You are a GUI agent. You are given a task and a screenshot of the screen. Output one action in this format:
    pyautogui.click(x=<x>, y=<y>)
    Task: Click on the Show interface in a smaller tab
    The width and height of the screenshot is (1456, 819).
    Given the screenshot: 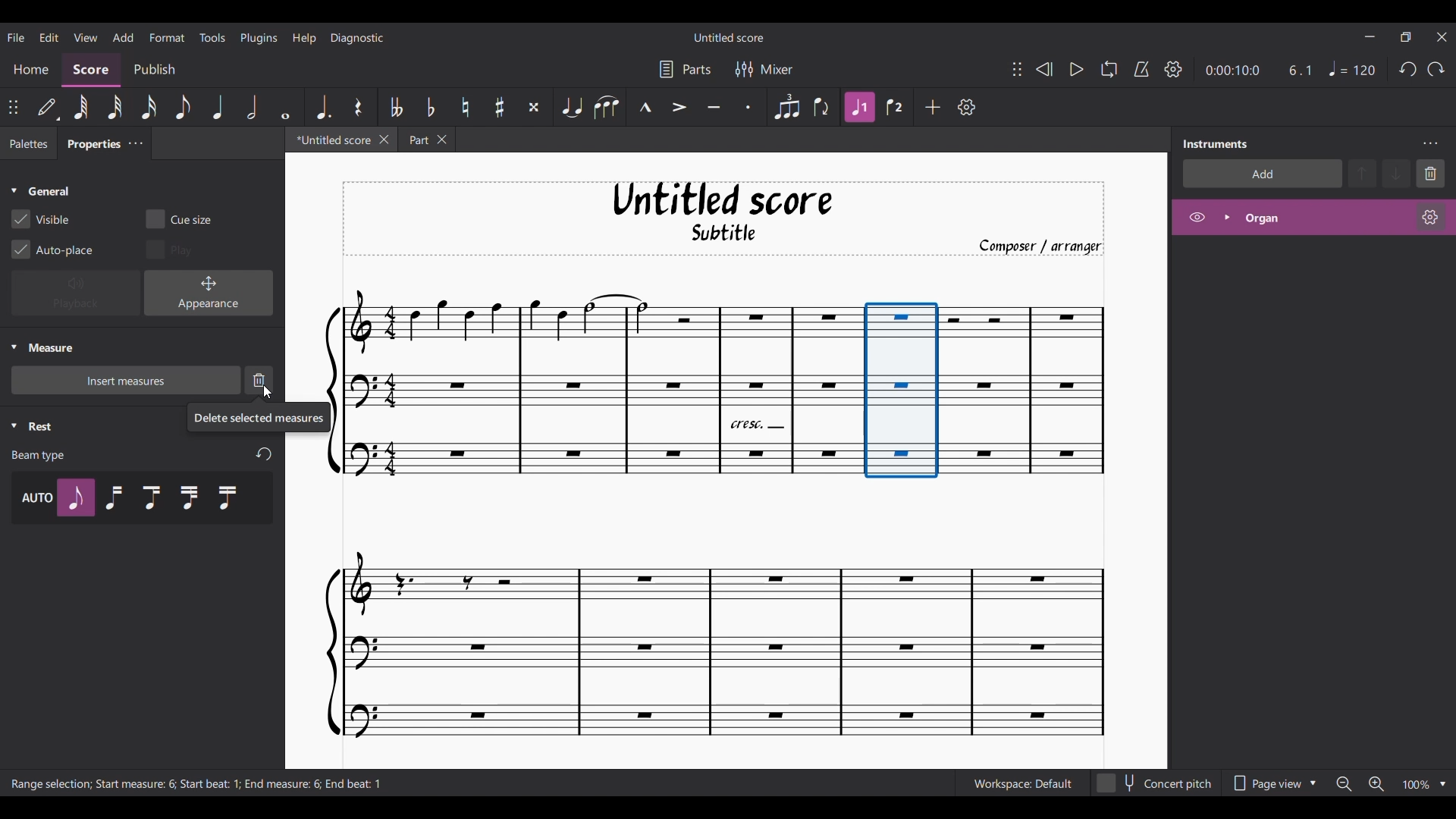 What is the action you would take?
    pyautogui.click(x=1406, y=37)
    